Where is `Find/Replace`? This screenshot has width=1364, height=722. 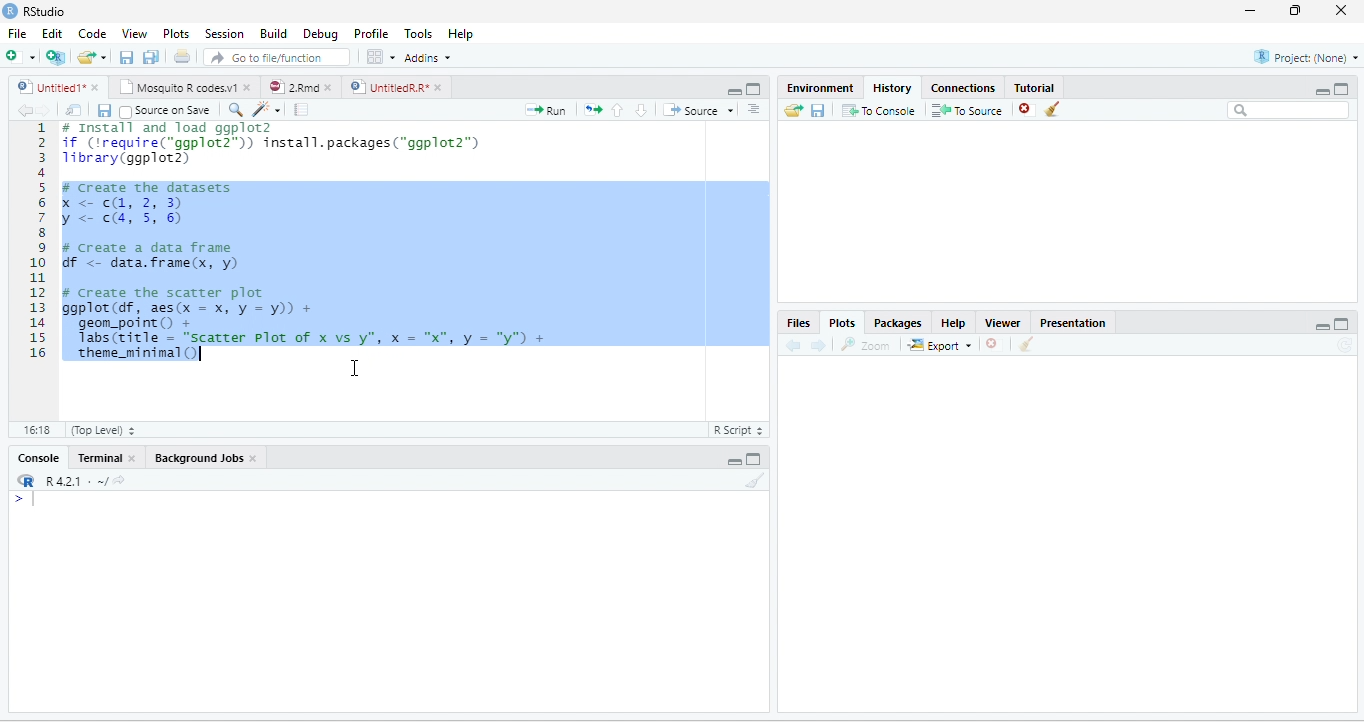
Find/Replace is located at coordinates (237, 111).